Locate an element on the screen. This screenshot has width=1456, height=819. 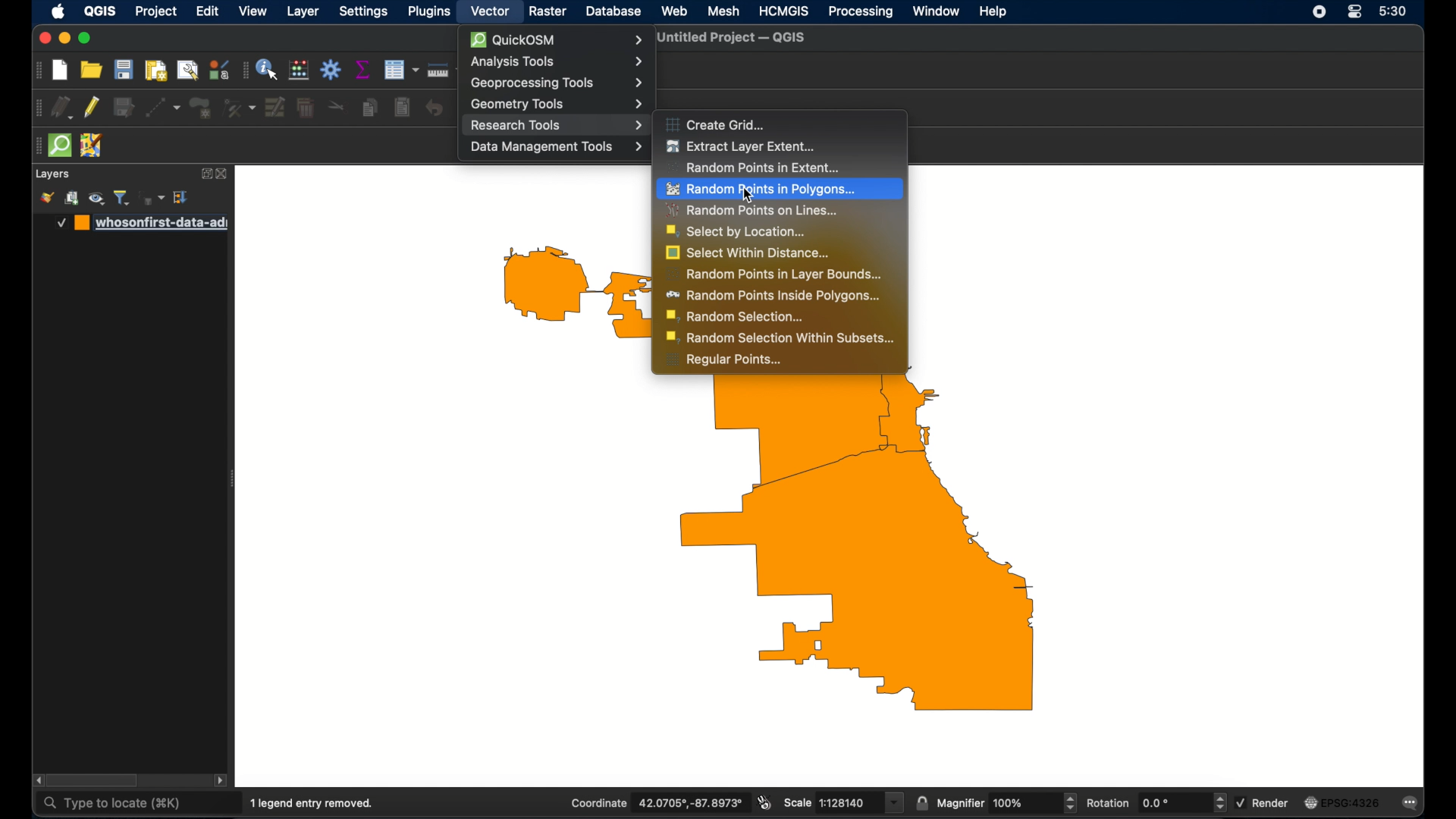
apple icon is located at coordinates (58, 11).